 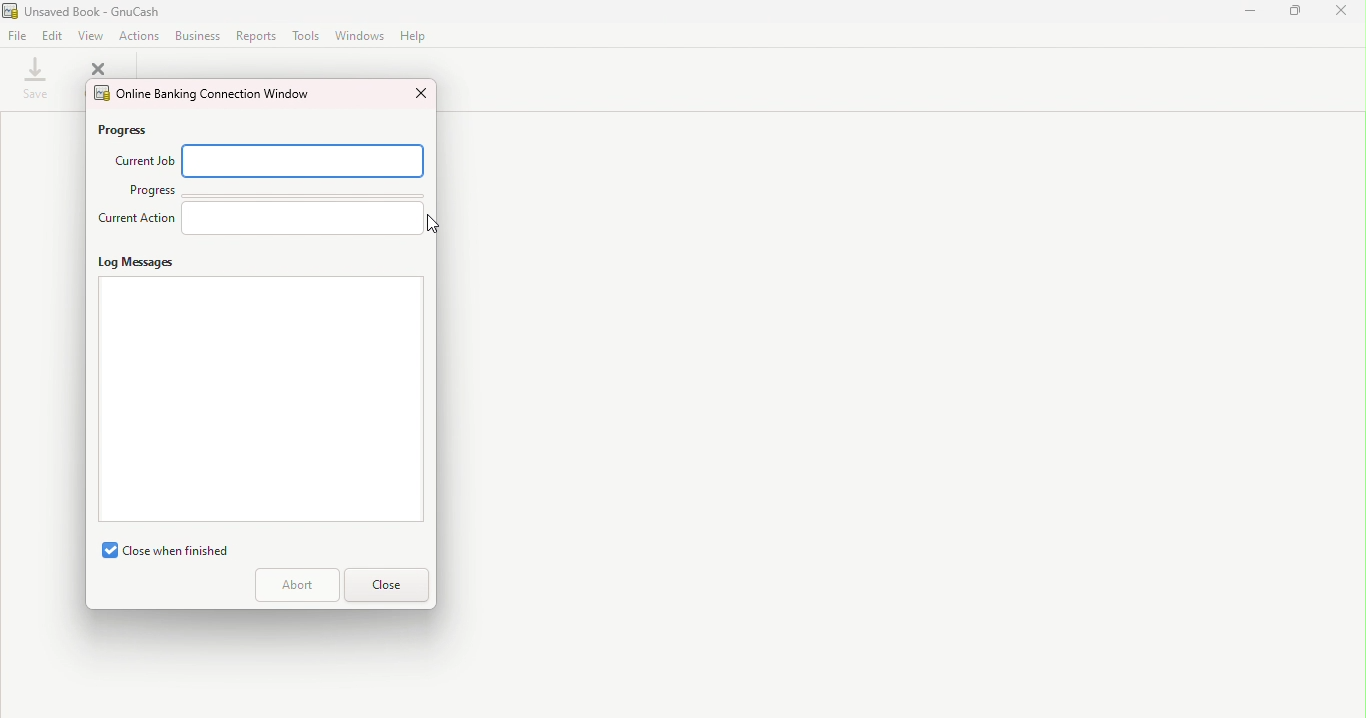 I want to click on Current action, so click(x=136, y=223).